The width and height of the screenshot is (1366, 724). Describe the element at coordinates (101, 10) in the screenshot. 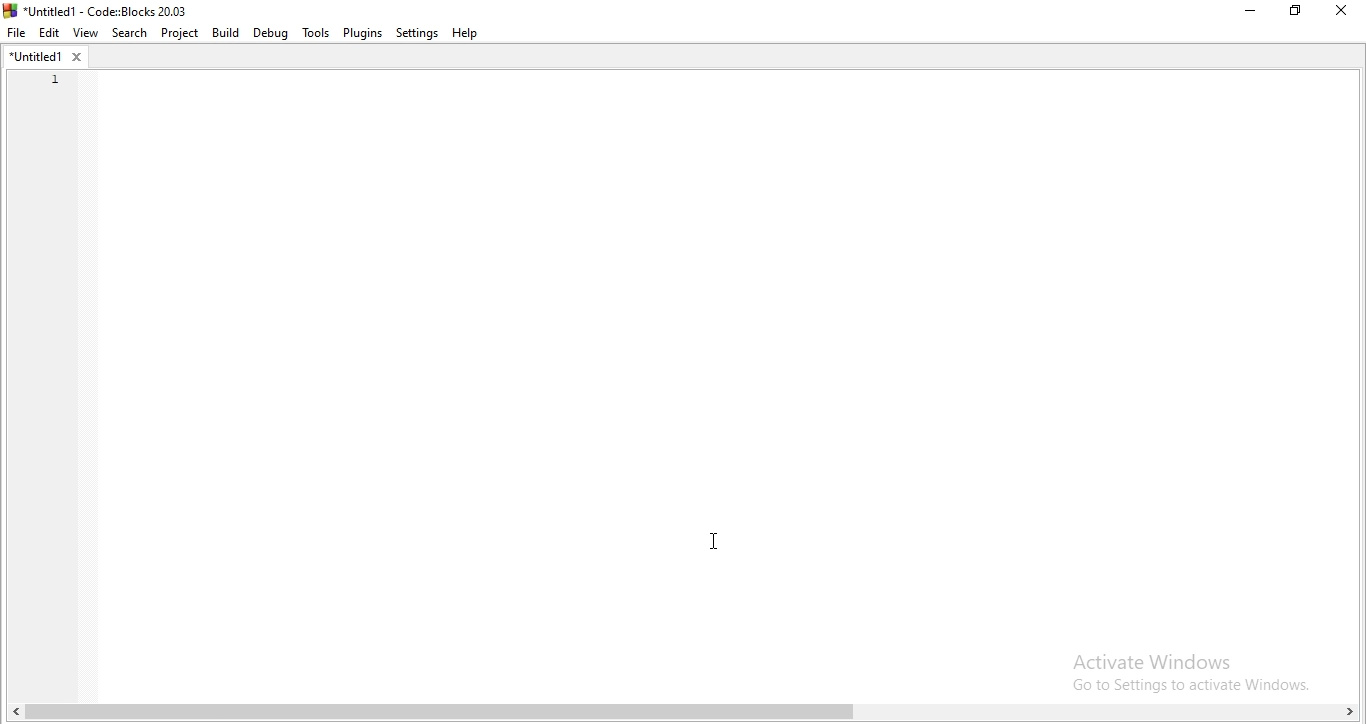

I see `*Untitled! - Code::Blocks 20.03` at that location.